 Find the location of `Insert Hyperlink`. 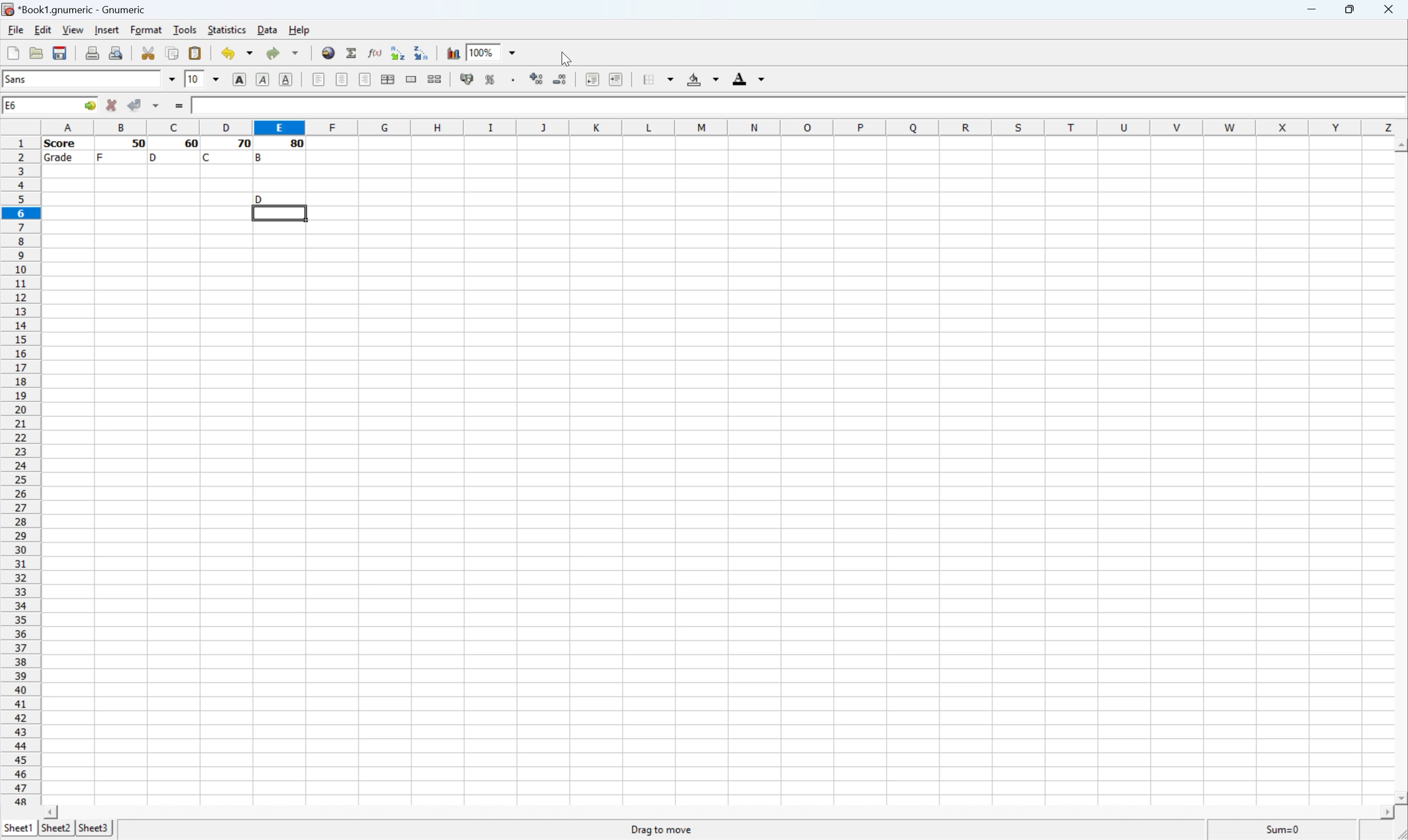

Insert Hyperlink is located at coordinates (328, 54).